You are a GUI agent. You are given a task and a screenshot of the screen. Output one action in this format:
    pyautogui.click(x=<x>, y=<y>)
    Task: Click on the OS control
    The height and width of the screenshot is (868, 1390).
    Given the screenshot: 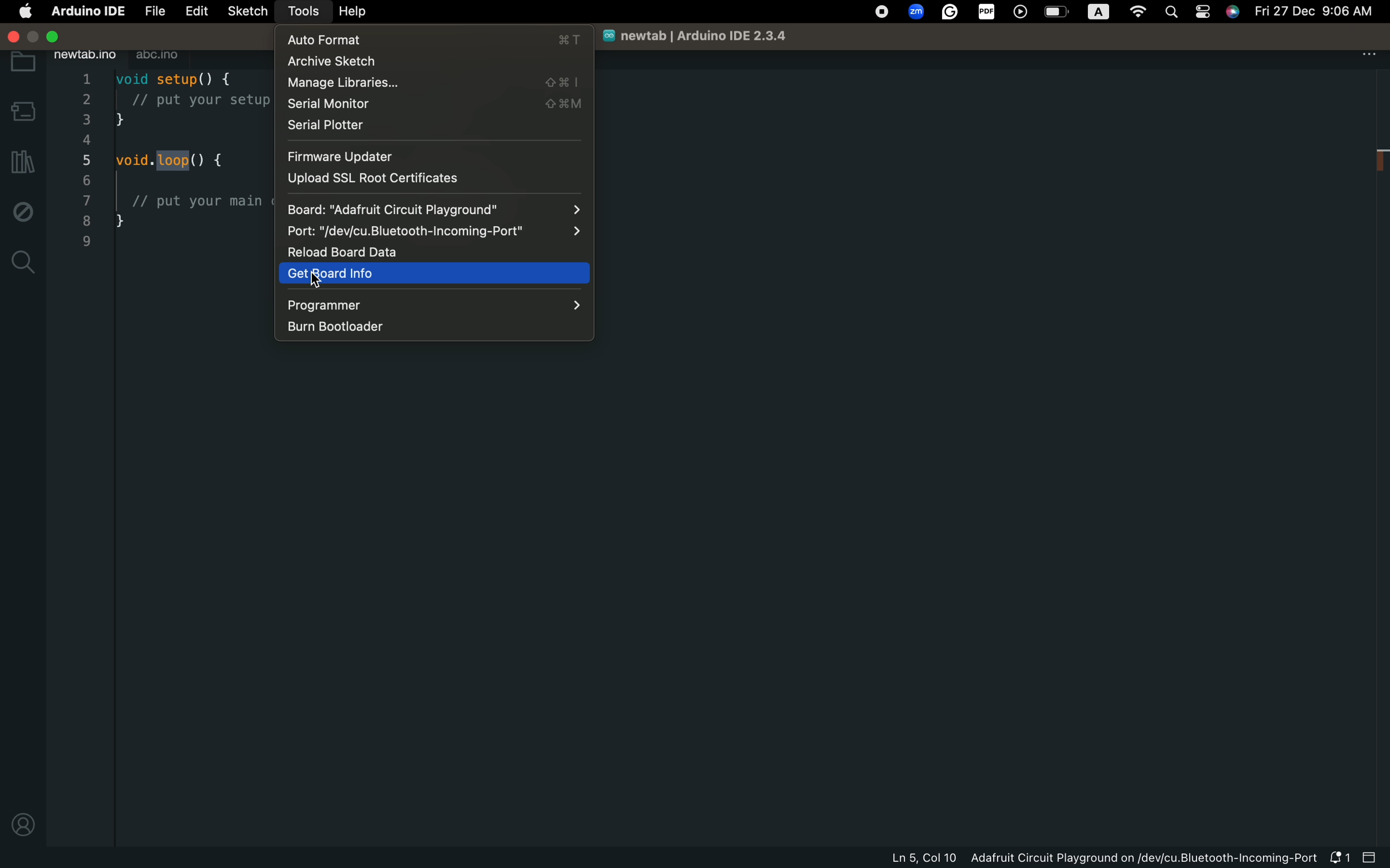 What is the action you would take?
    pyautogui.click(x=886, y=13)
    